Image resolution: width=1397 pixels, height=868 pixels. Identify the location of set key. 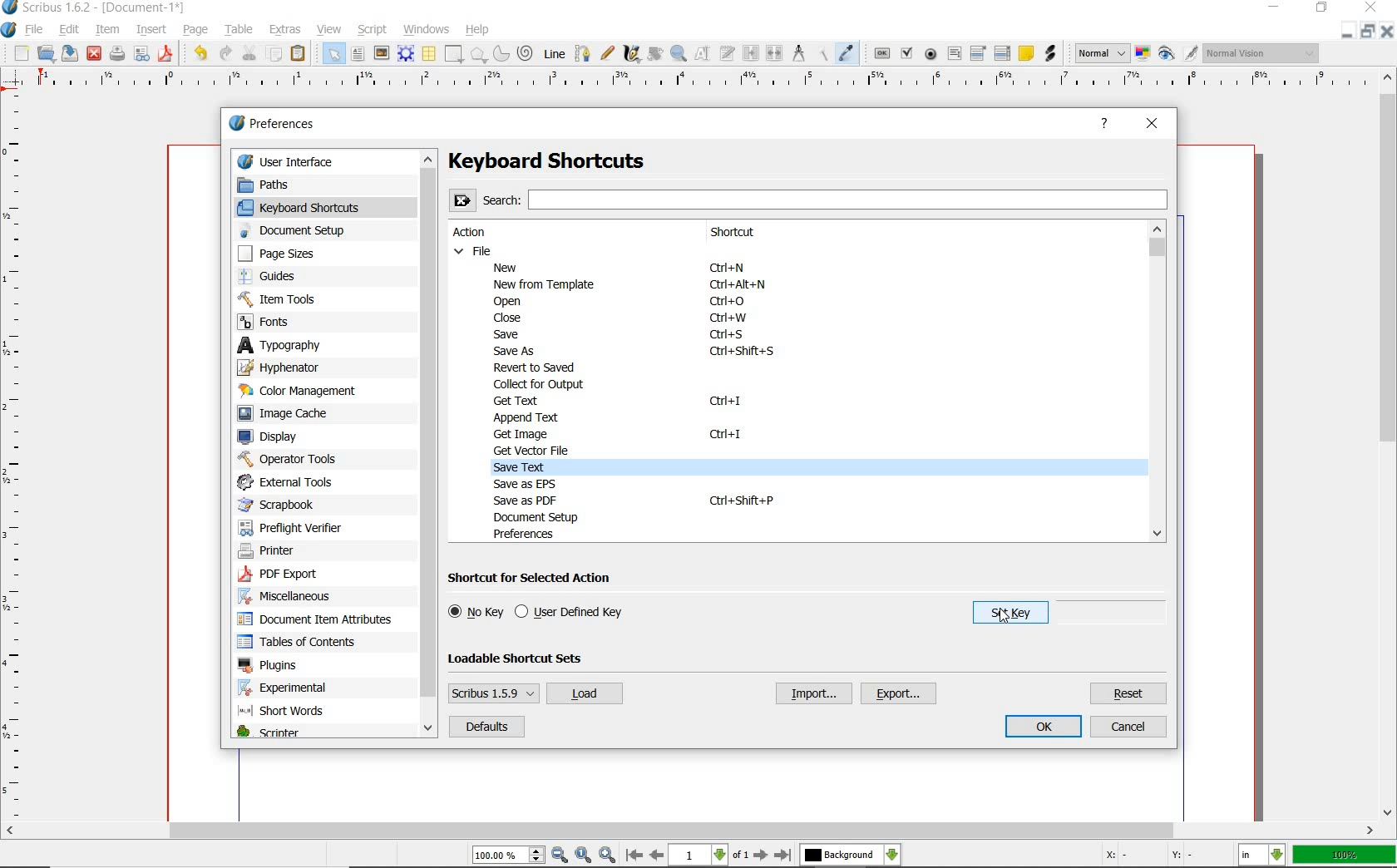
(1002, 616).